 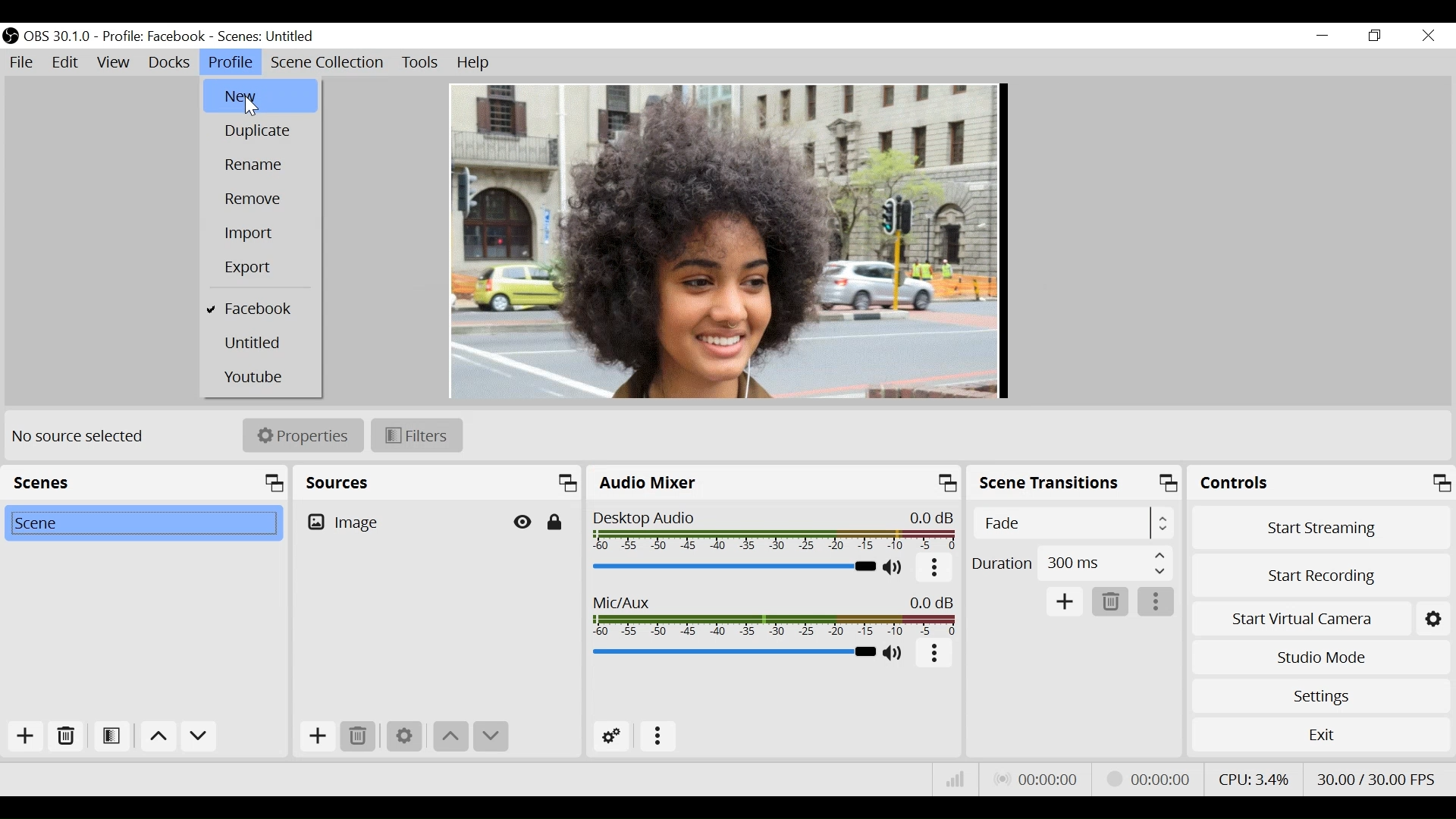 I want to click on Add, so click(x=316, y=736).